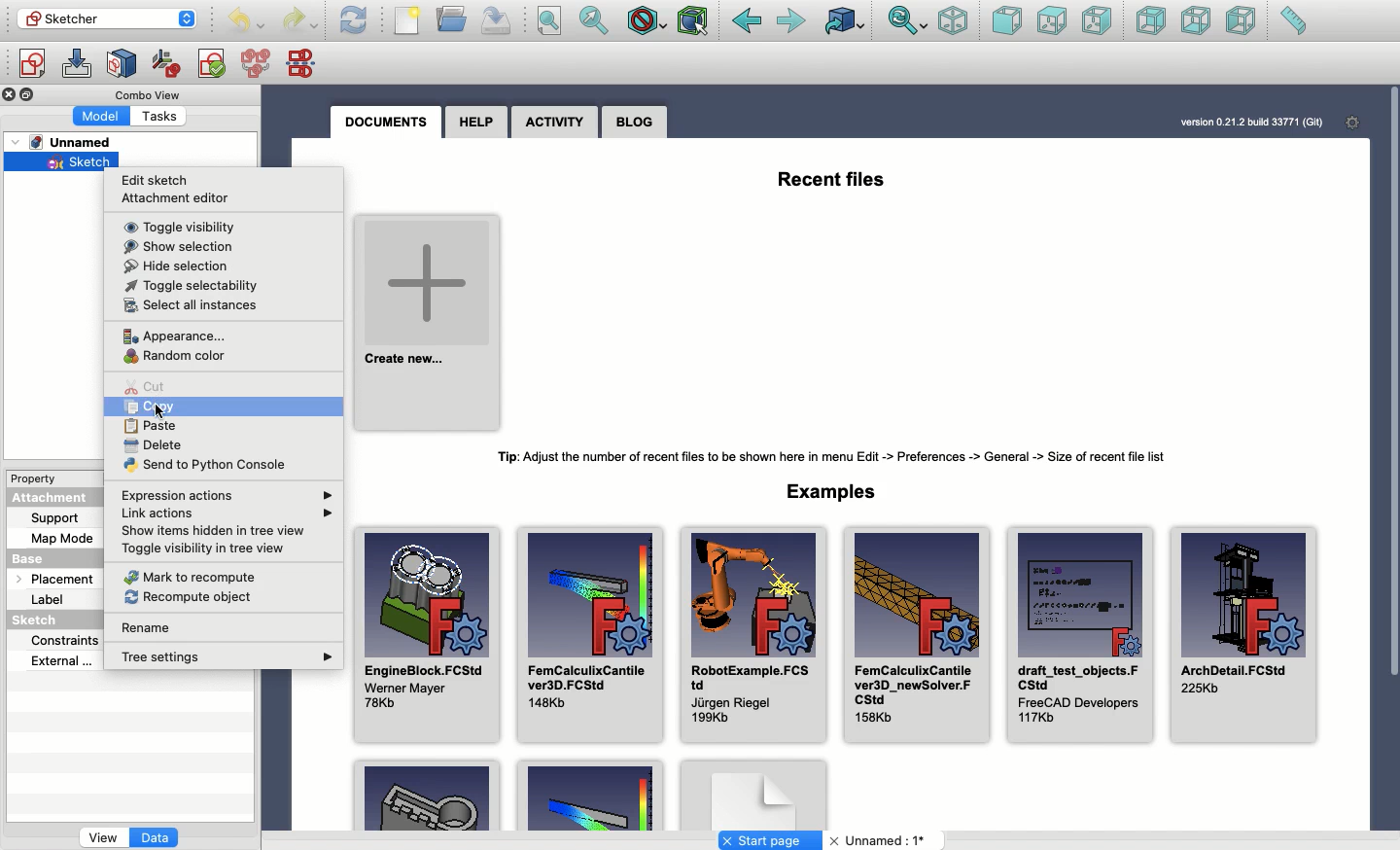  I want to click on Unnamed, so click(881, 841).